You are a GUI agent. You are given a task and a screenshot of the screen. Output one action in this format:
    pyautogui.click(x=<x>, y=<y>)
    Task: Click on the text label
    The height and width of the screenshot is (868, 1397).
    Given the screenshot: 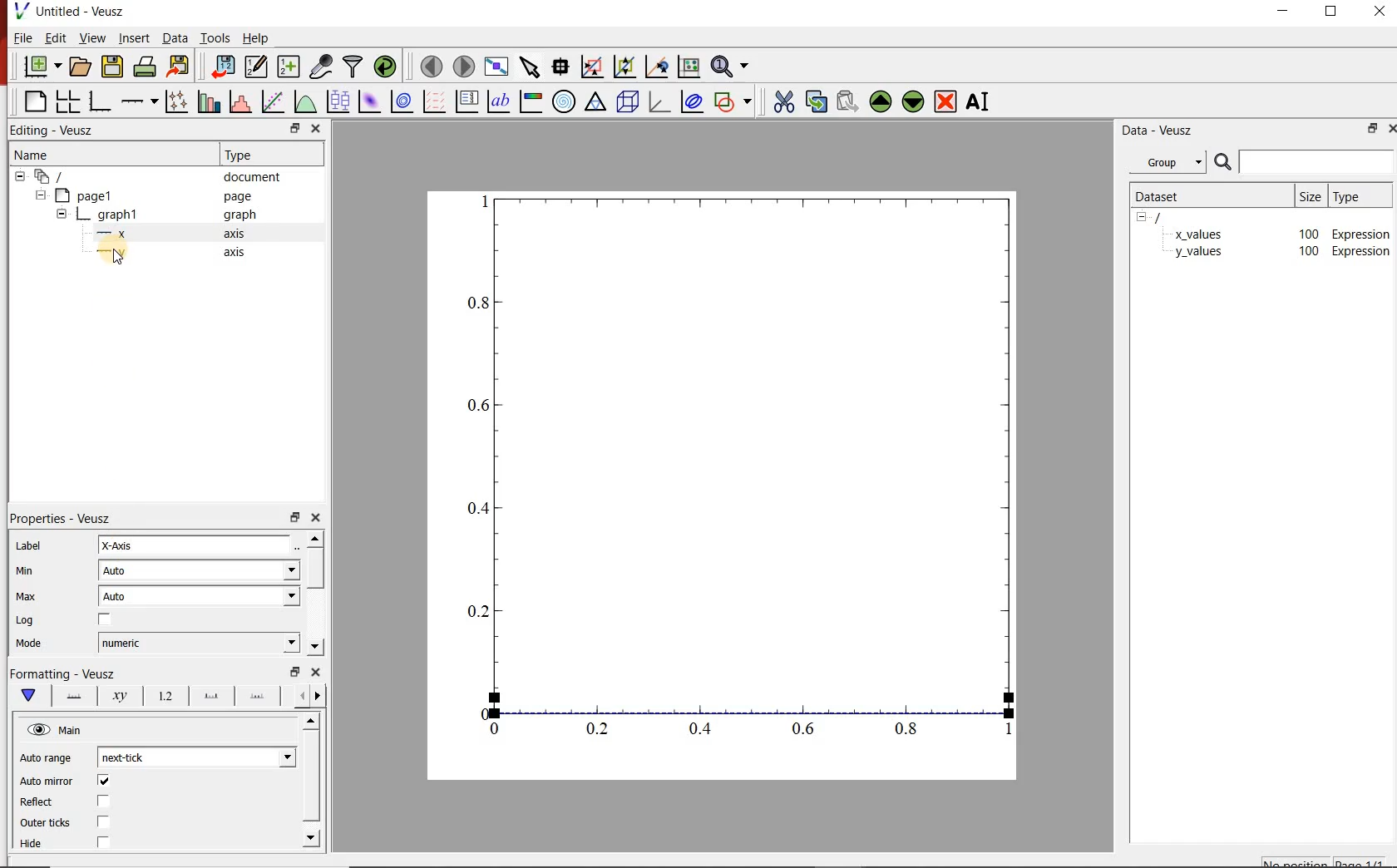 What is the action you would take?
    pyautogui.click(x=496, y=101)
    